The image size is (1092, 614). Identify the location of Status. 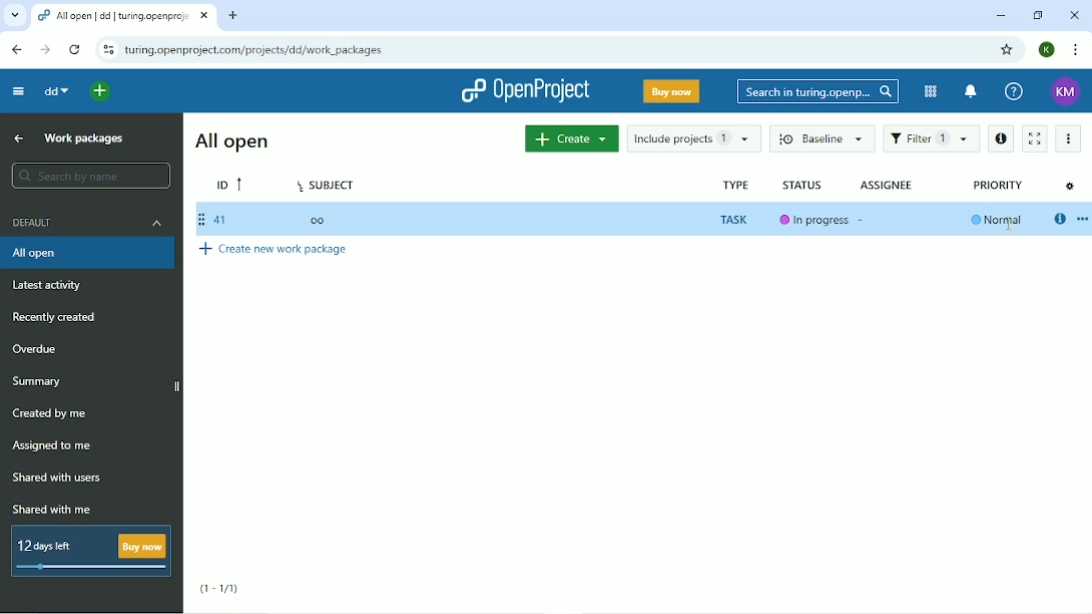
(808, 187).